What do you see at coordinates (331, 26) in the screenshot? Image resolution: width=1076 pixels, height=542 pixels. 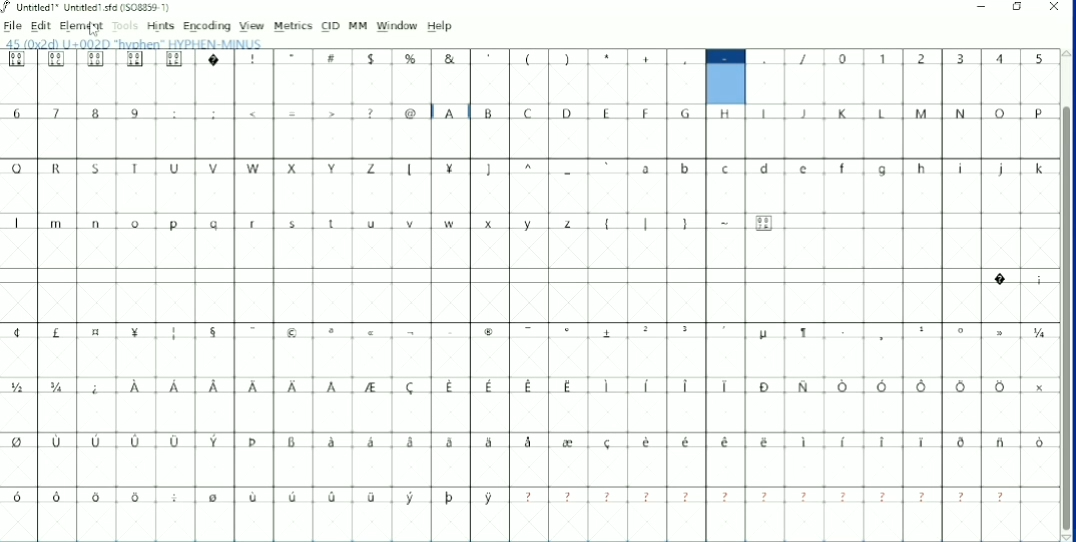 I see `CID` at bounding box center [331, 26].